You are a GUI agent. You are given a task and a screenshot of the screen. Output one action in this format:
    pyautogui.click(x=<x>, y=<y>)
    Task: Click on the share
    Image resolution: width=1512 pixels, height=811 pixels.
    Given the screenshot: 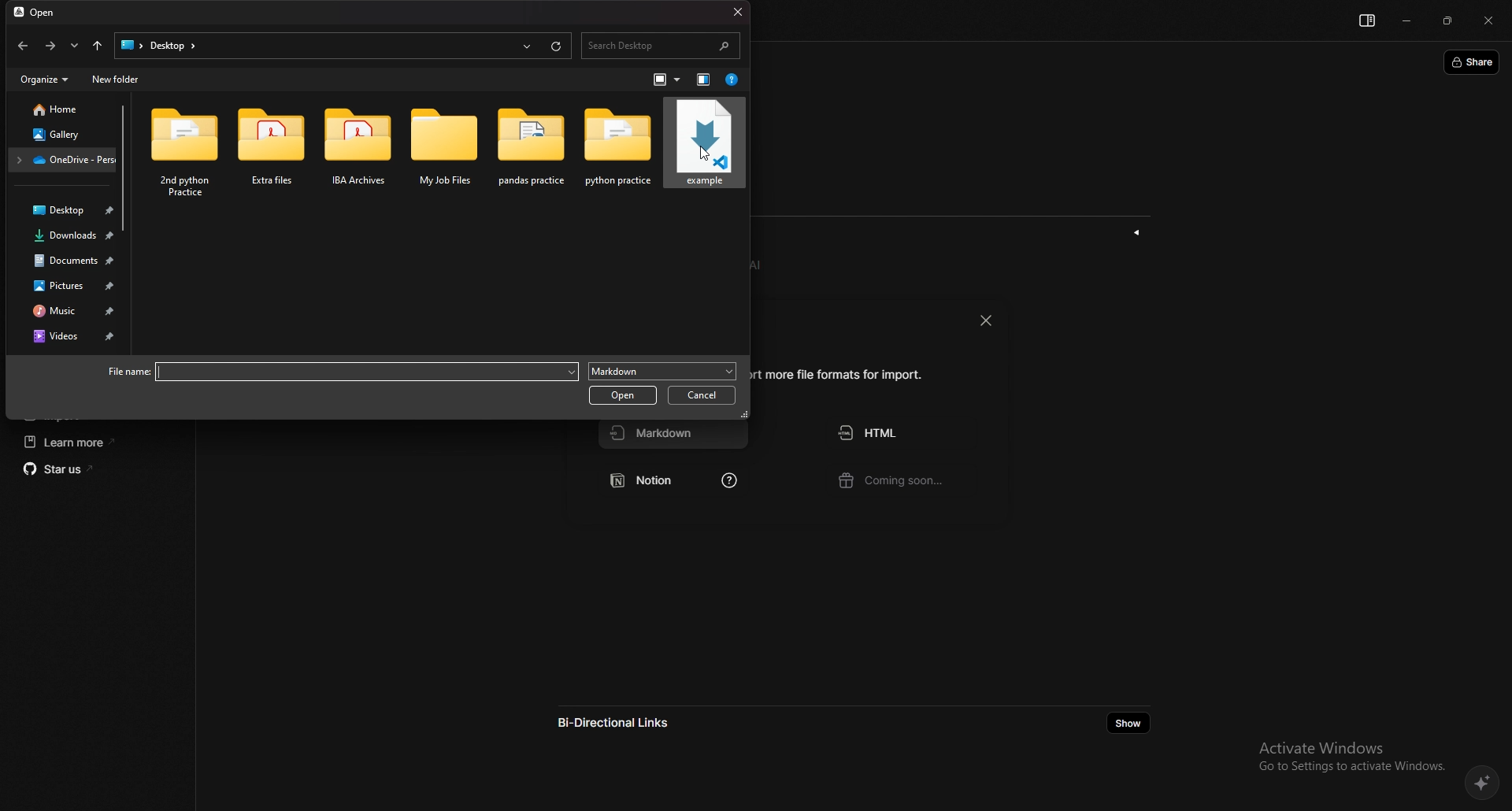 What is the action you would take?
    pyautogui.click(x=1473, y=61)
    